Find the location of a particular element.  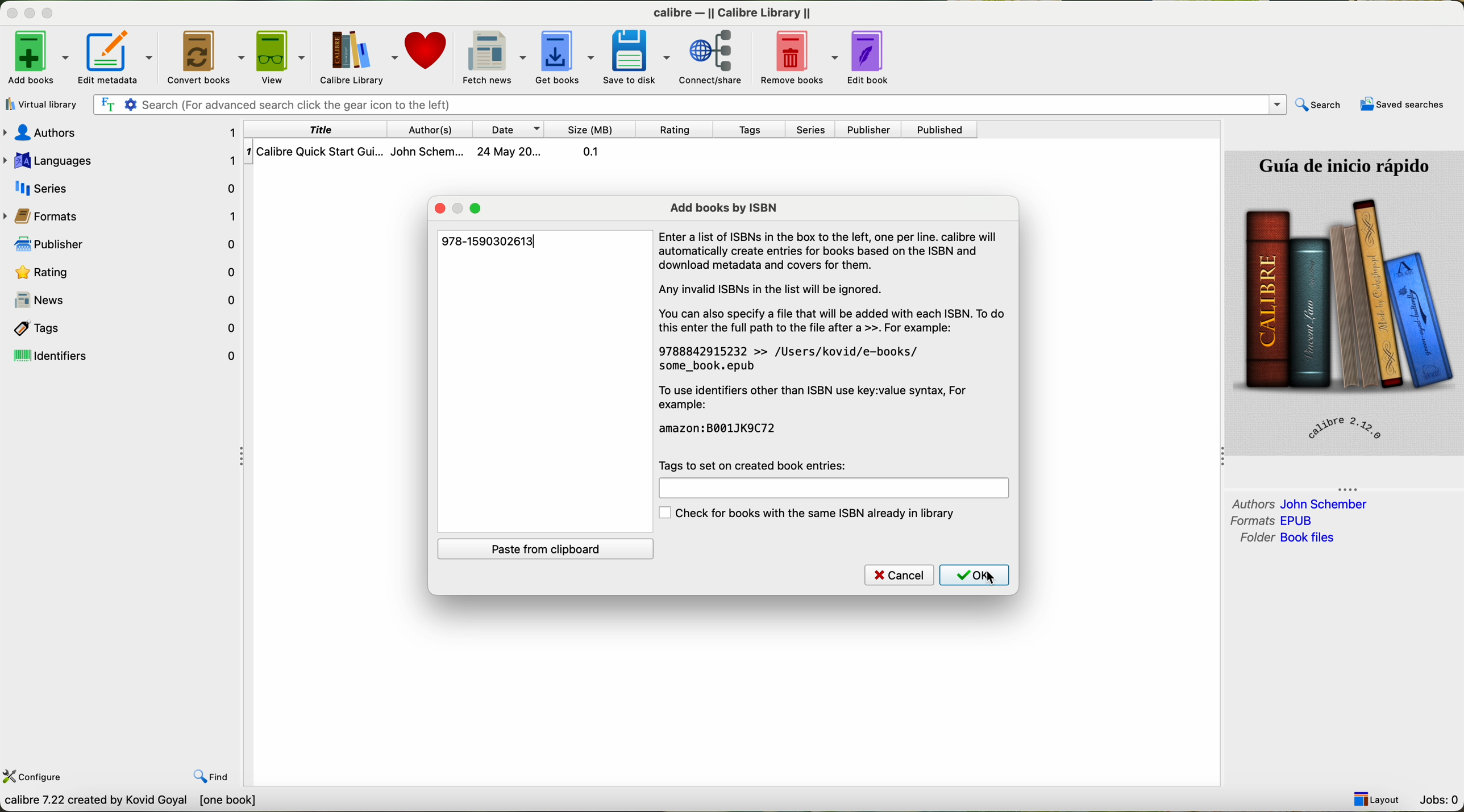

maximize window is located at coordinates (477, 210).